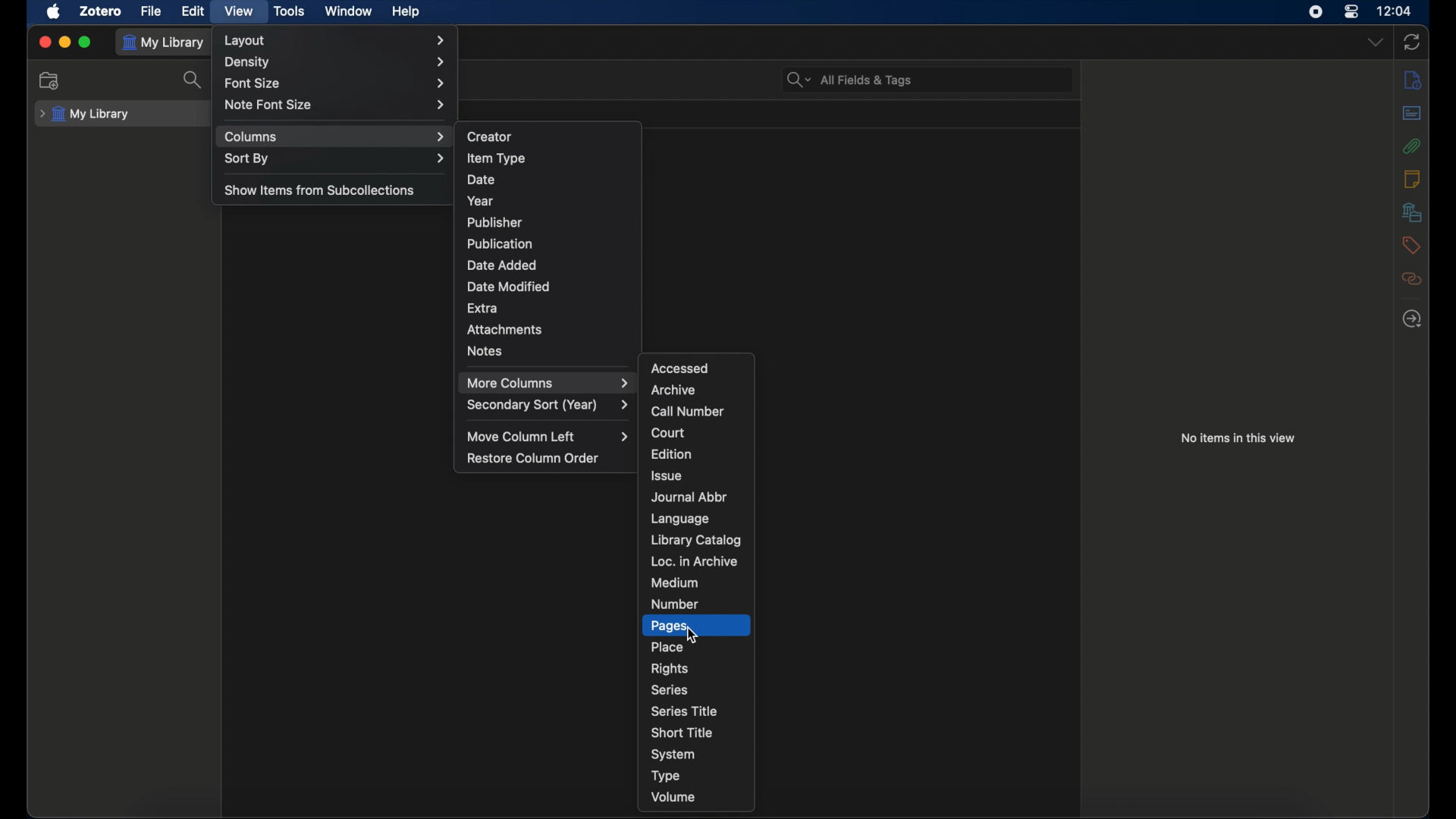 This screenshot has width=1456, height=819. Describe the element at coordinates (499, 243) in the screenshot. I see `publication` at that location.